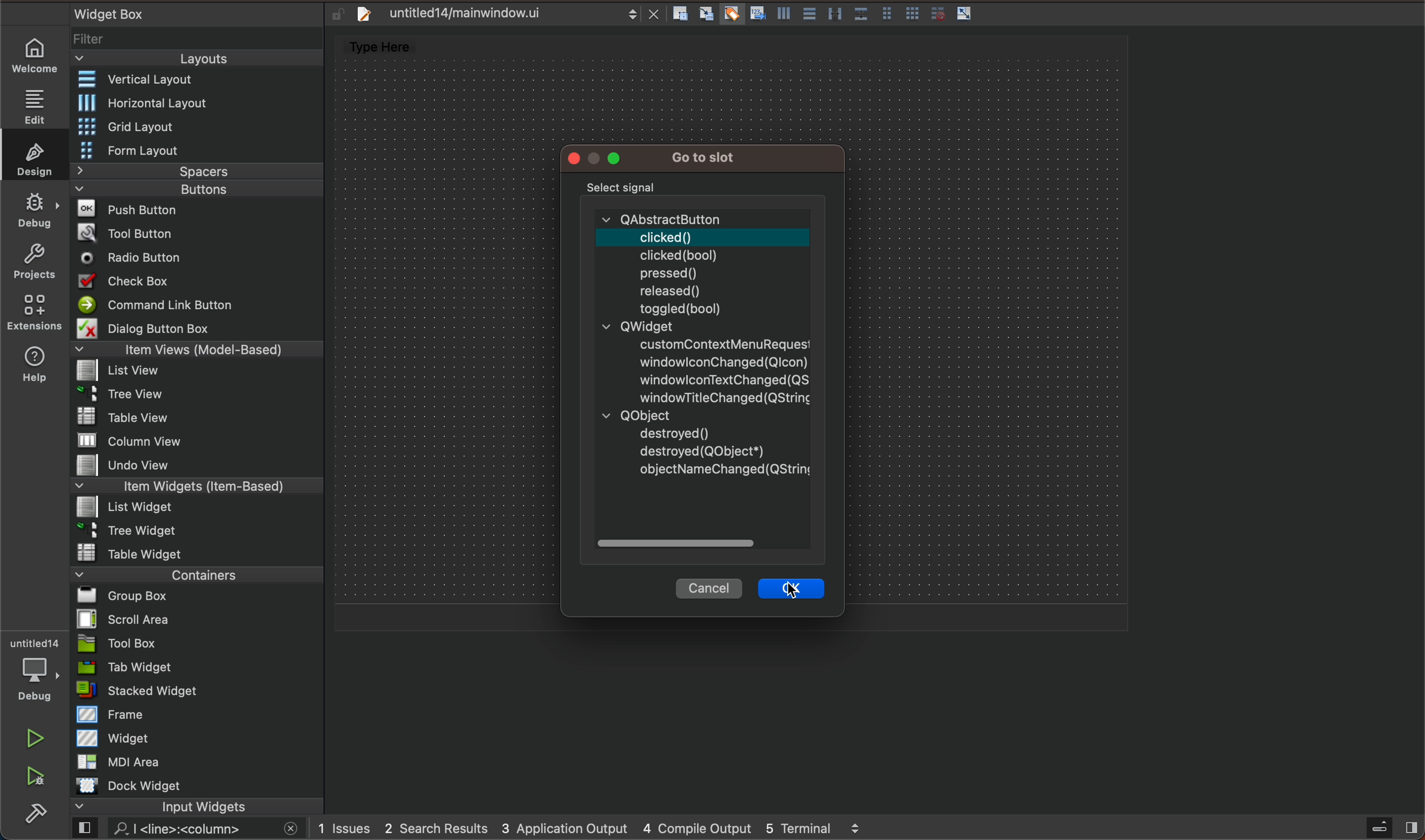 The image size is (1425, 840). What do you see at coordinates (677, 545) in the screenshot?
I see `scroll bar` at bounding box center [677, 545].